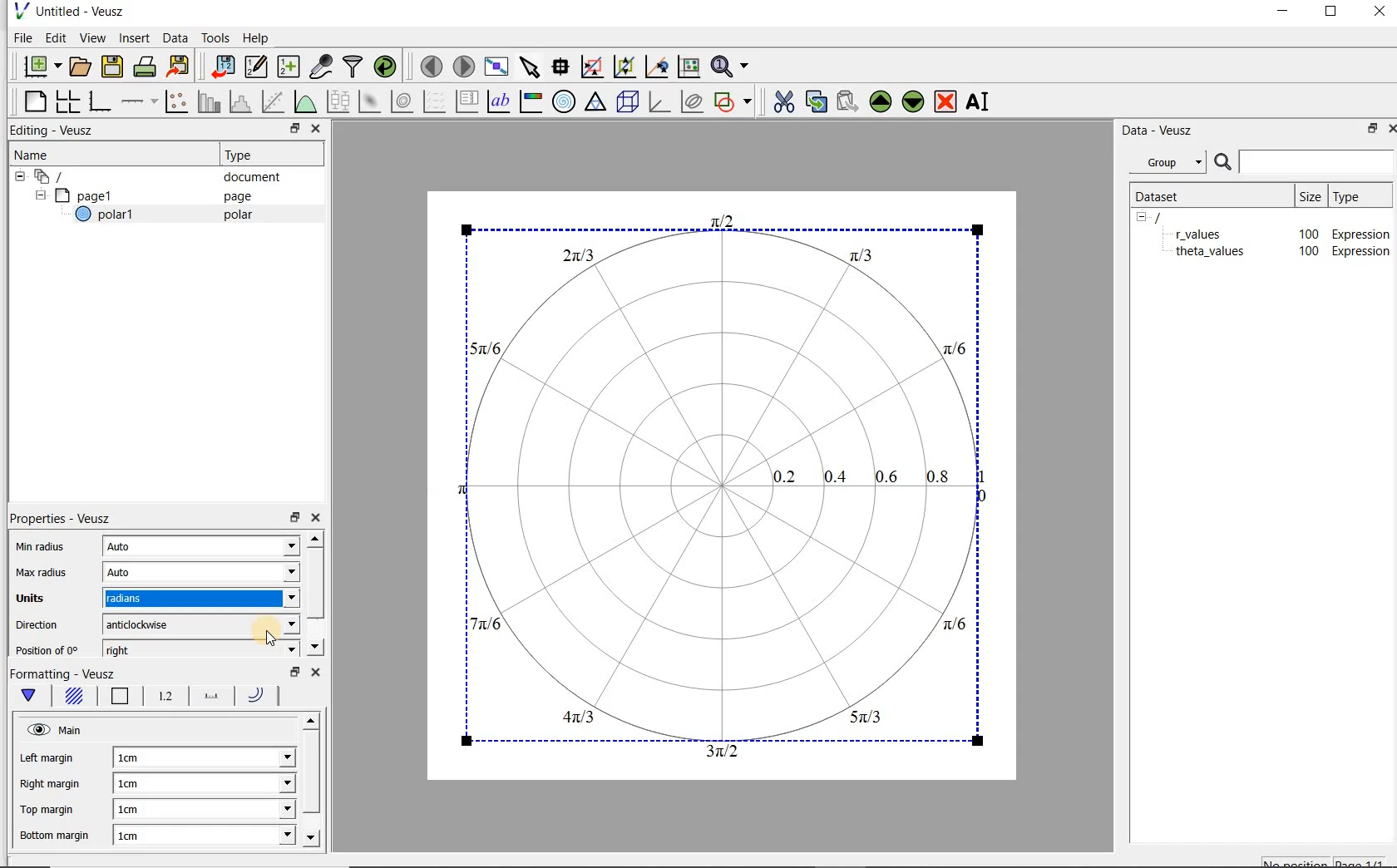 Image resolution: width=1397 pixels, height=868 pixels. Describe the element at coordinates (432, 64) in the screenshot. I see `move to the previous page` at that location.